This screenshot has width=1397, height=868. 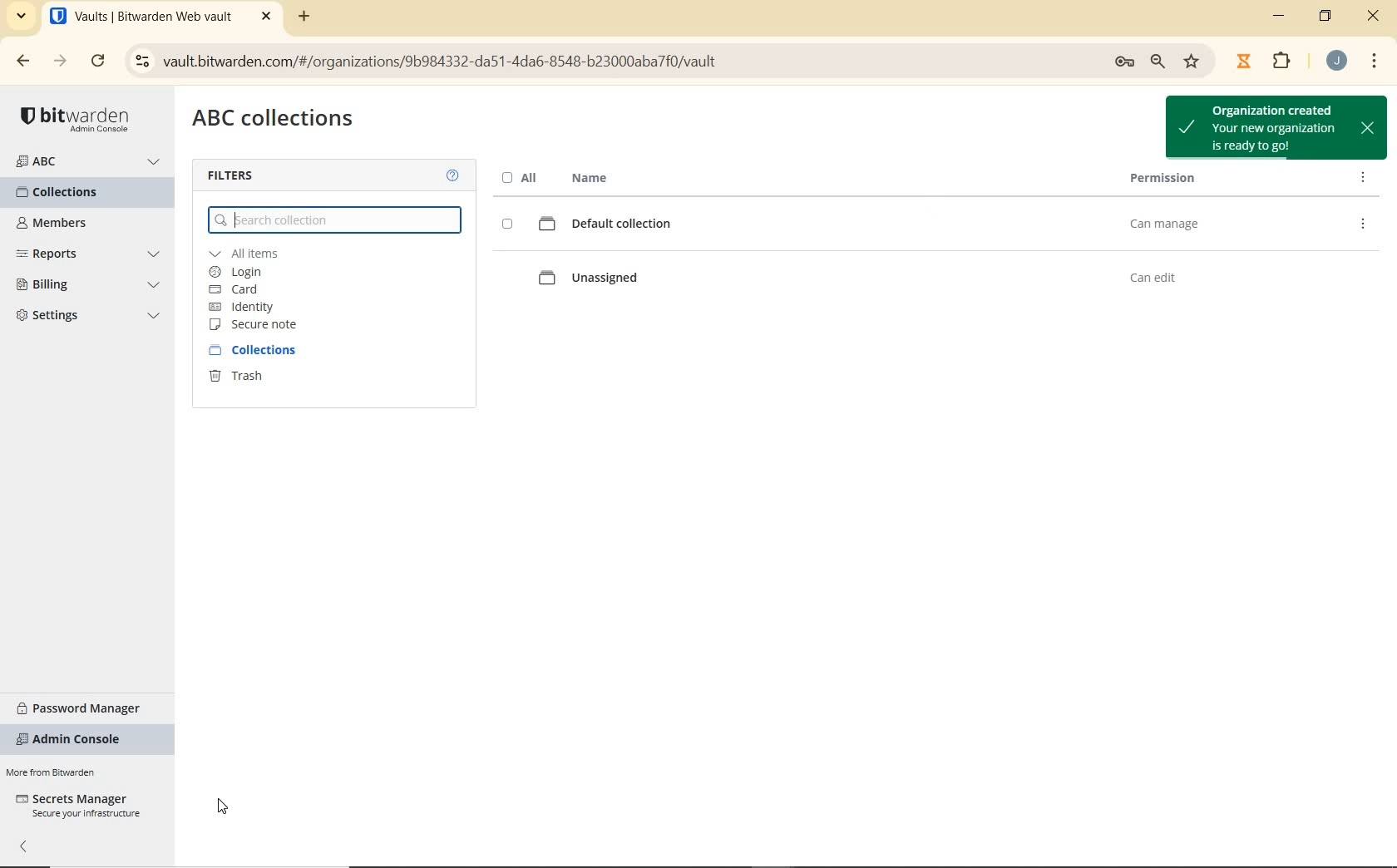 What do you see at coordinates (238, 379) in the screenshot?
I see `trash` at bounding box center [238, 379].